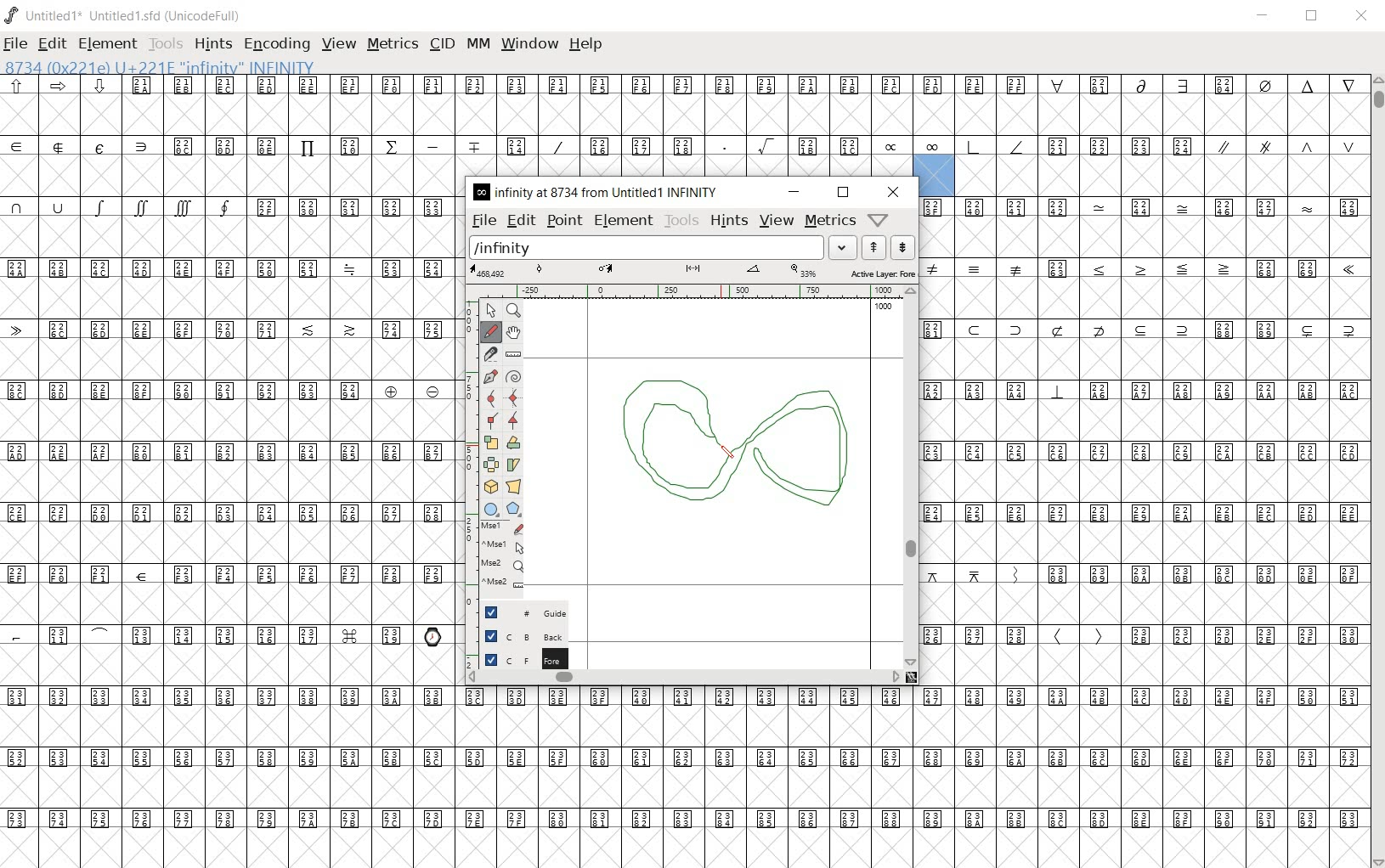 Image resolution: width=1385 pixels, height=868 pixels. Describe the element at coordinates (684, 696) in the screenshot. I see `Unicode code points` at that location.